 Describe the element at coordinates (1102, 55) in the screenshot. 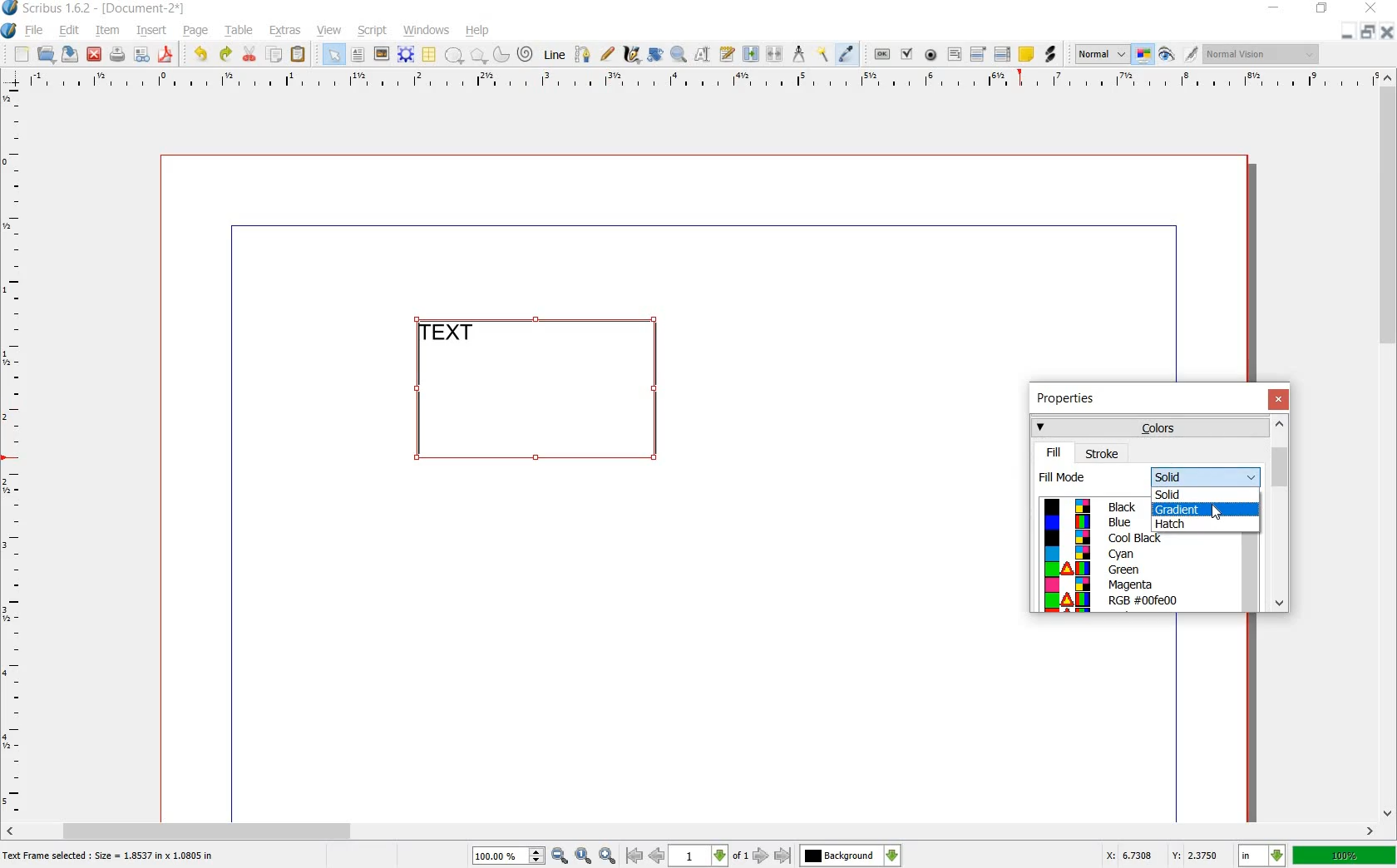

I see `normal` at that location.